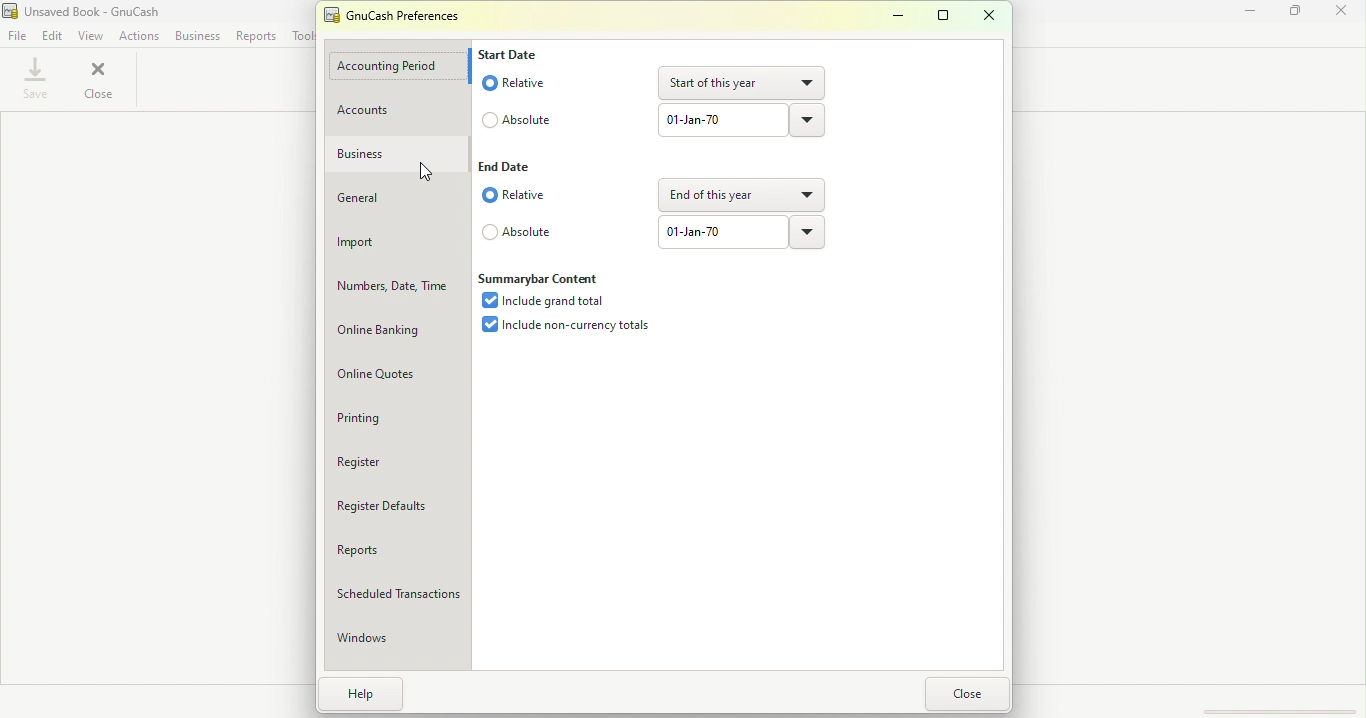  What do you see at coordinates (896, 19) in the screenshot?
I see `Minimize` at bounding box center [896, 19].